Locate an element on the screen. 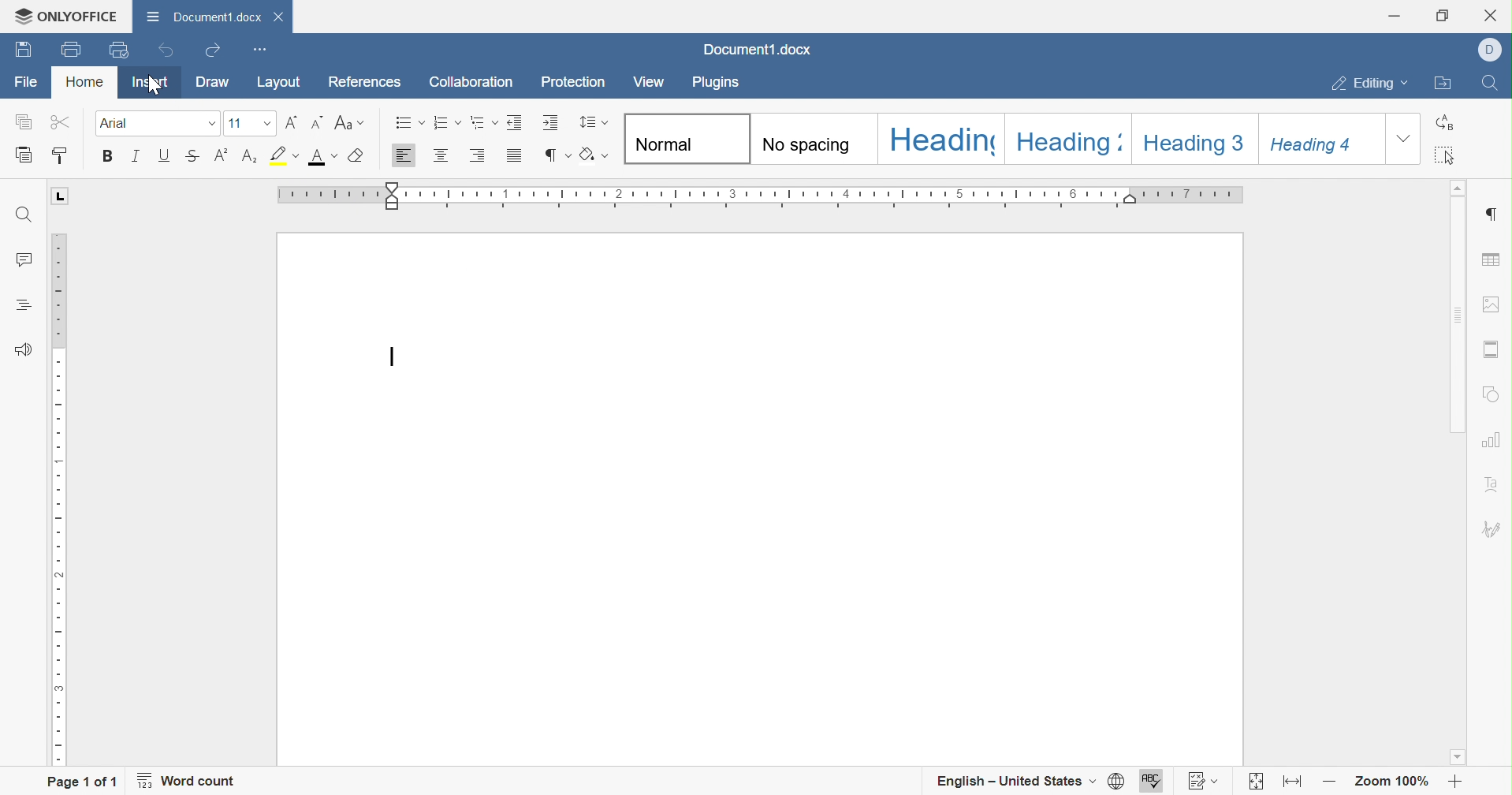 The height and width of the screenshot is (795, 1512). Fit to width is located at coordinates (1292, 782).